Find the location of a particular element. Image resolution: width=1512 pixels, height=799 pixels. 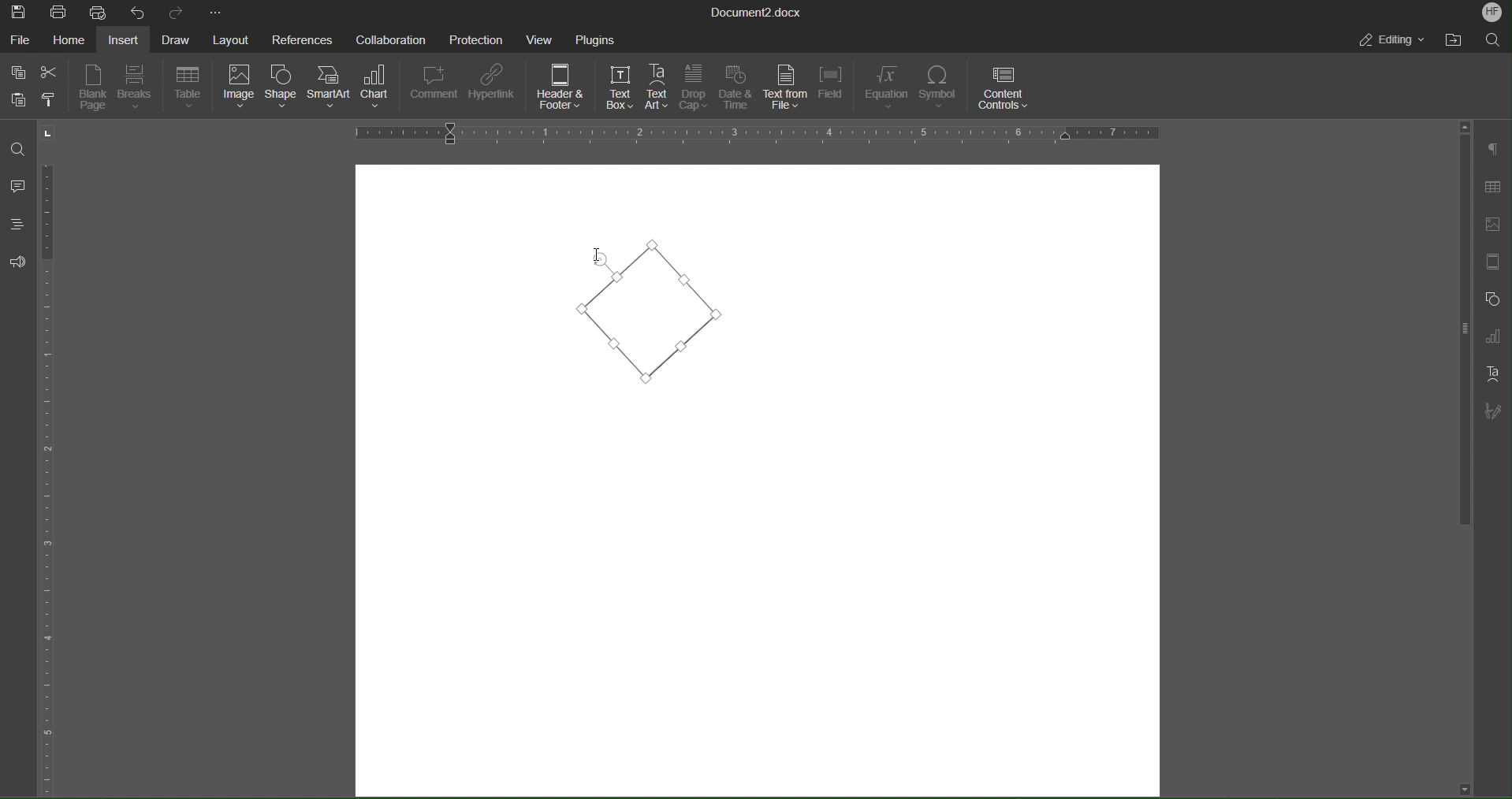

Textbox rotated 45 degrees is located at coordinates (651, 314).